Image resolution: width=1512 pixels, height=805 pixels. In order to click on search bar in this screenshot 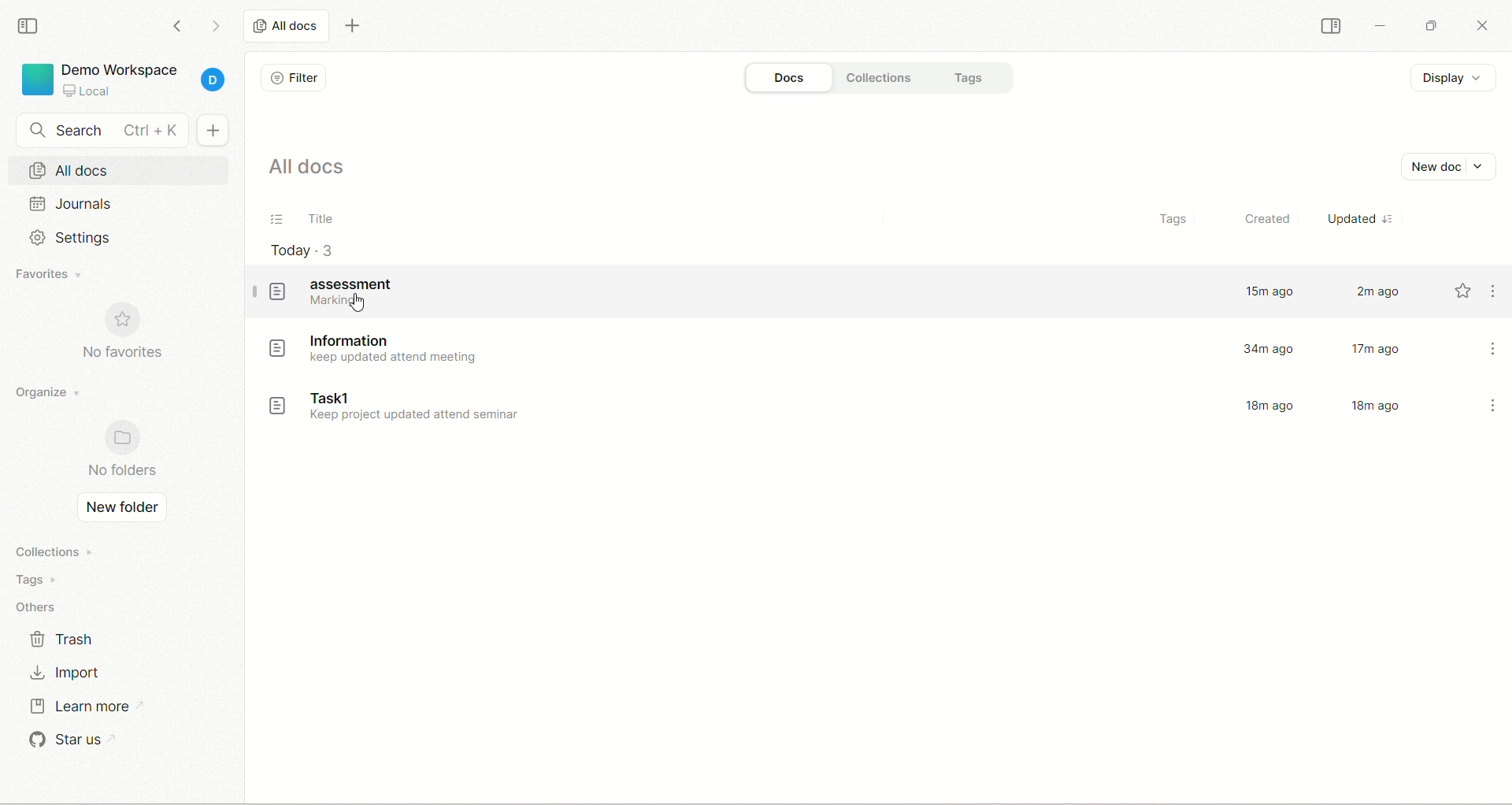, I will do `click(102, 129)`.